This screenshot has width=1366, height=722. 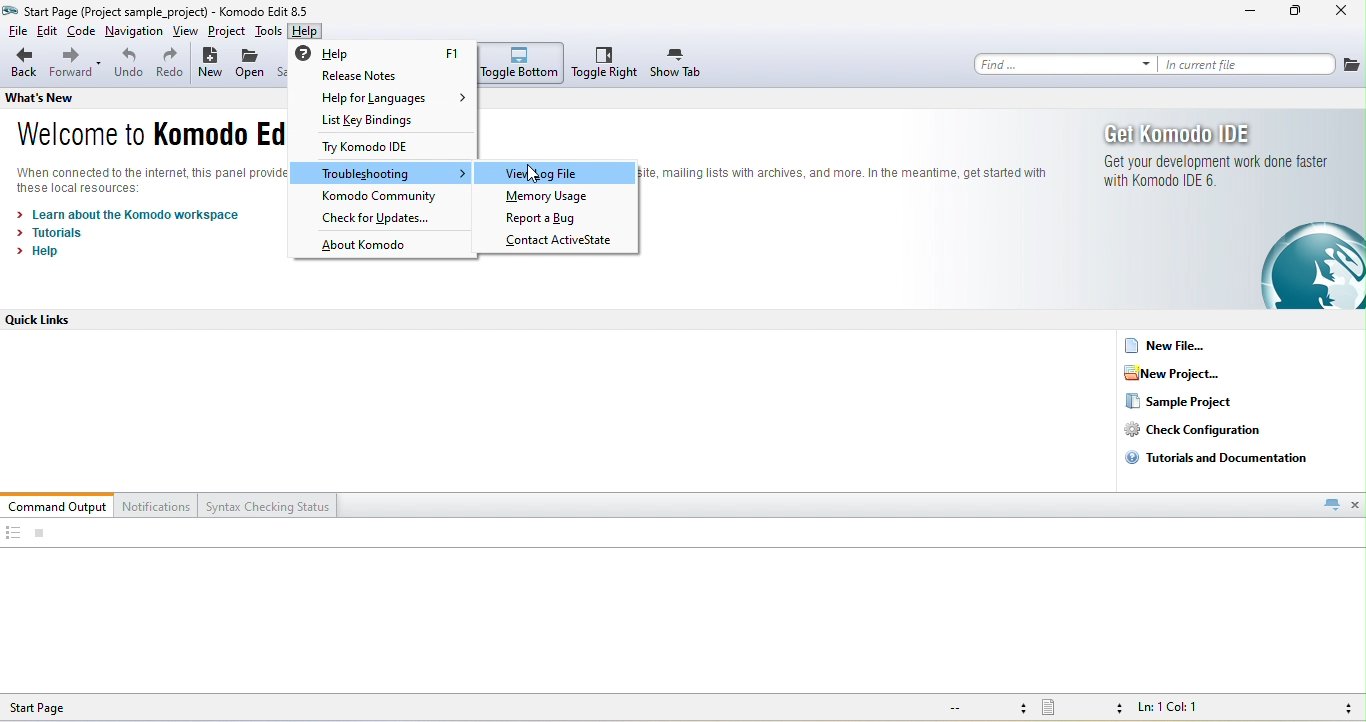 I want to click on file, so click(x=15, y=32).